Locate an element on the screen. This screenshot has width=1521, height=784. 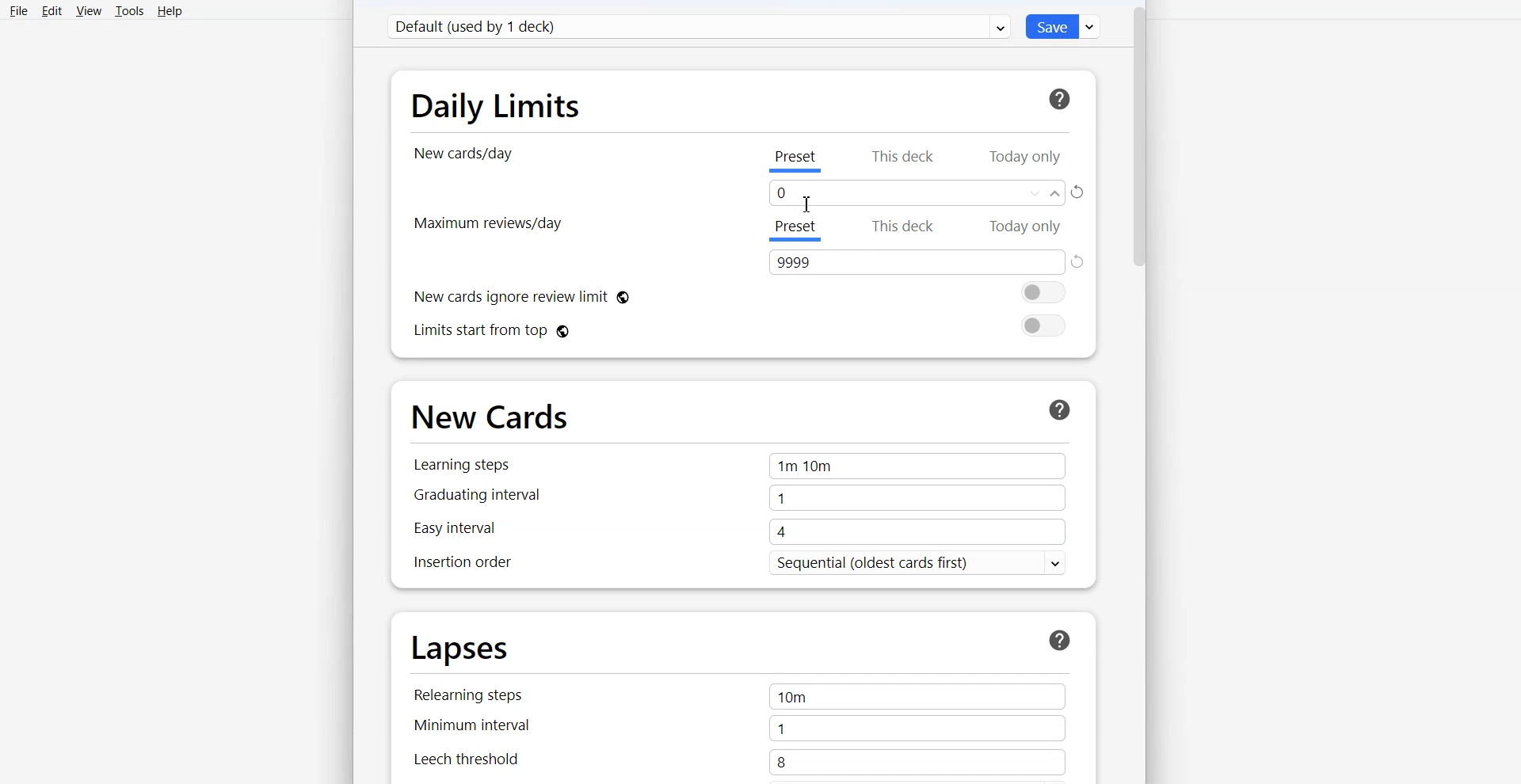
Preset is located at coordinates (793, 230).